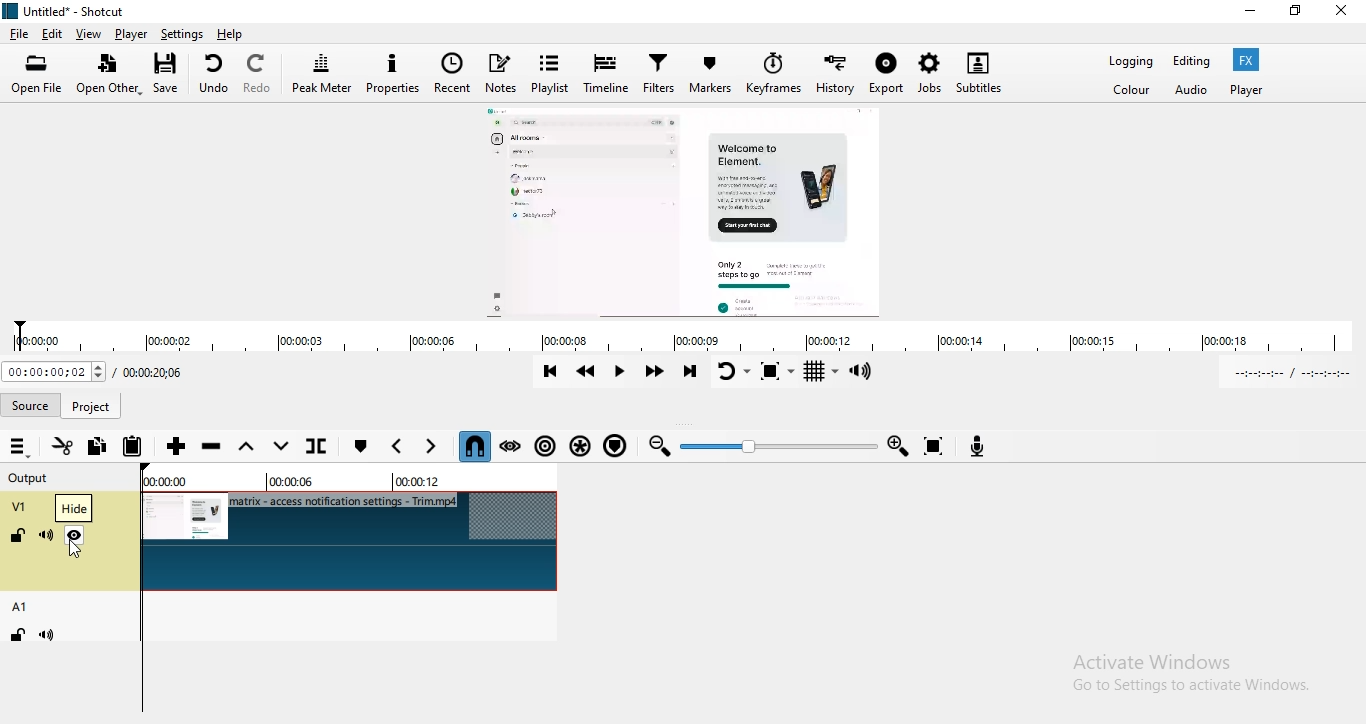 The height and width of the screenshot is (724, 1366). I want to click on Jobs, so click(929, 71).